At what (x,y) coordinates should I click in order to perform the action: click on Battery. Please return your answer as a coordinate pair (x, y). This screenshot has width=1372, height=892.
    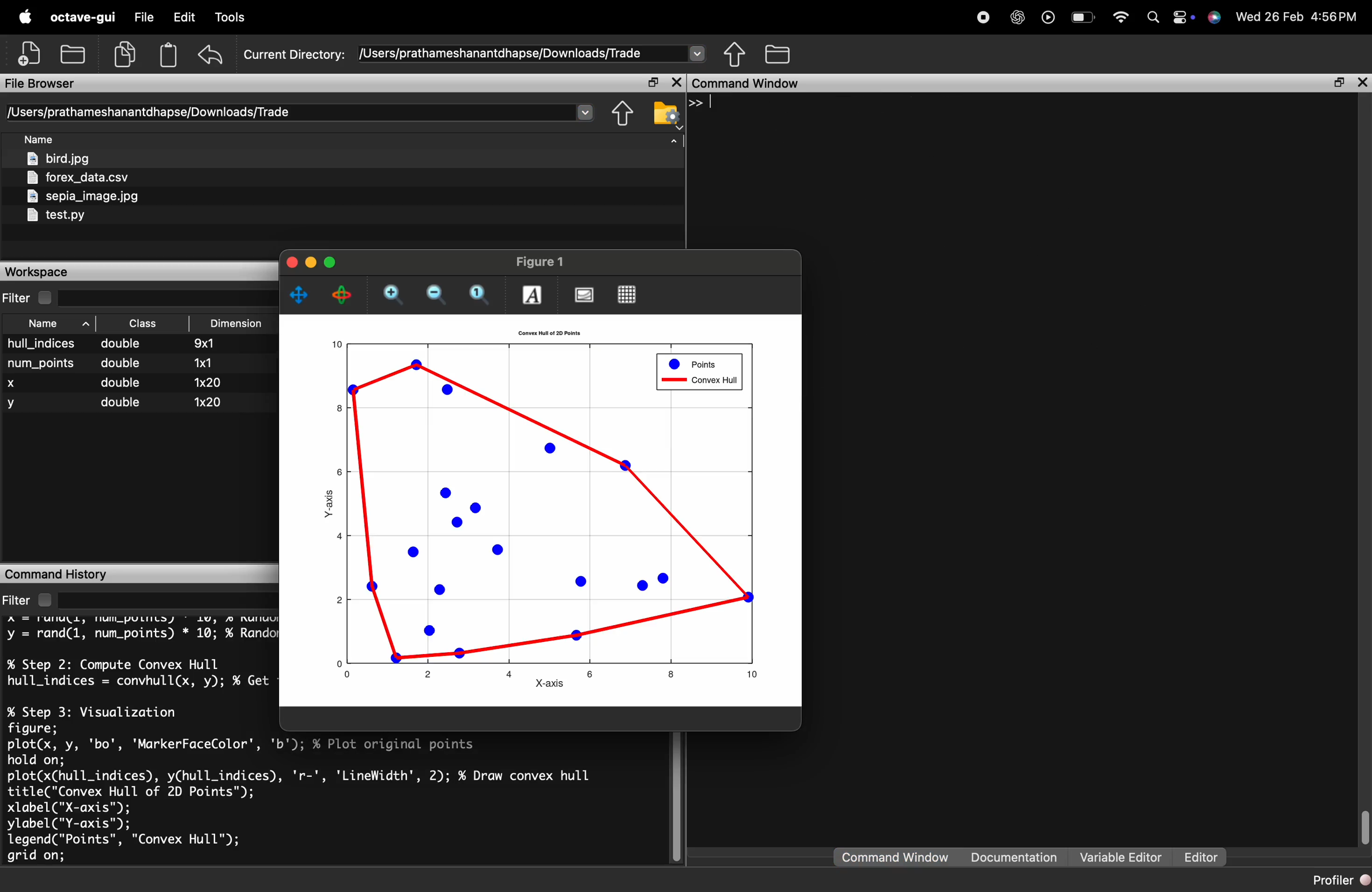
    Looking at the image, I should click on (1084, 18).